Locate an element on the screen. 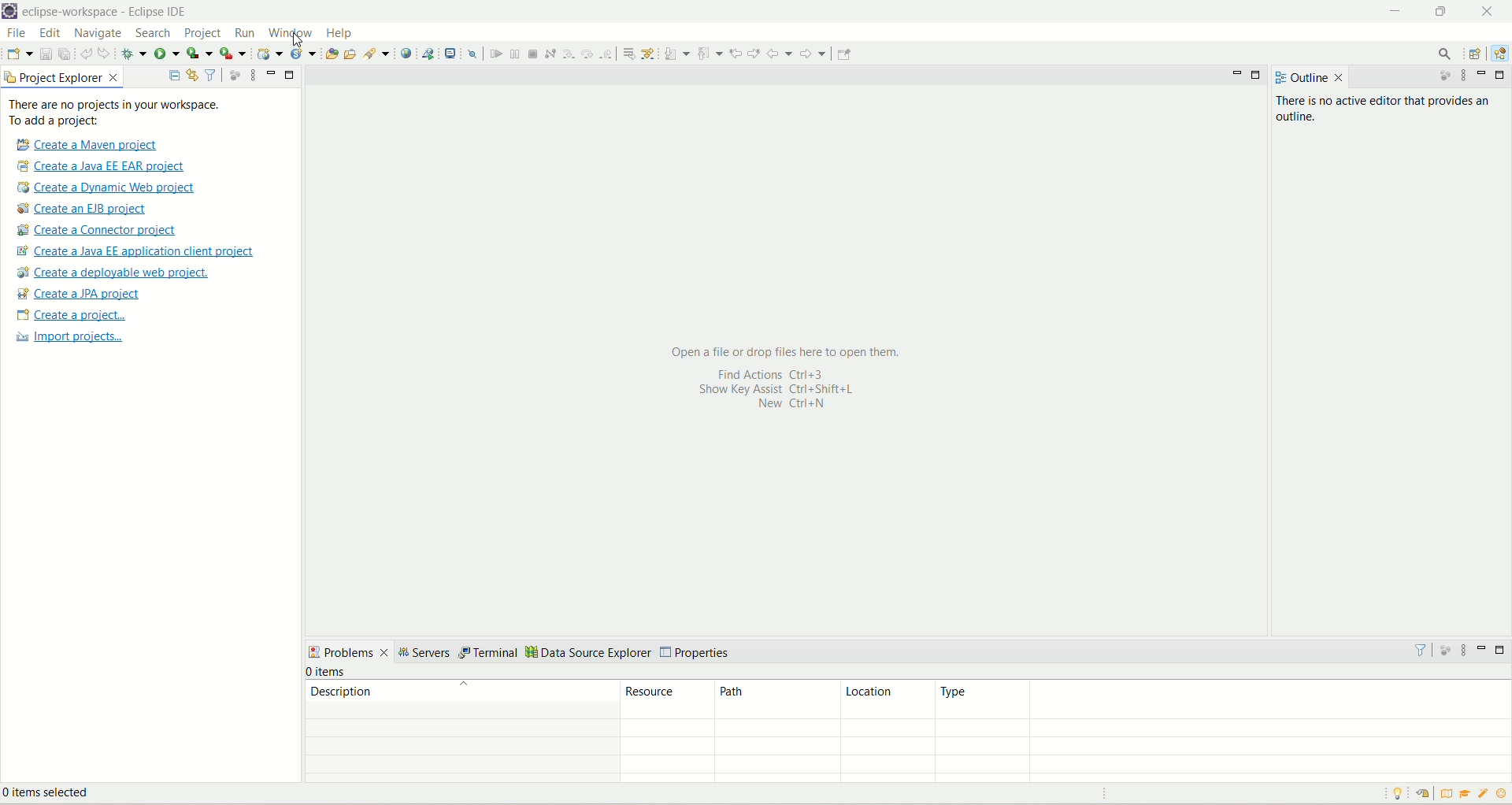 Image resolution: width=1512 pixels, height=805 pixels. create a dynamic web project is located at coordinates (270, 54).